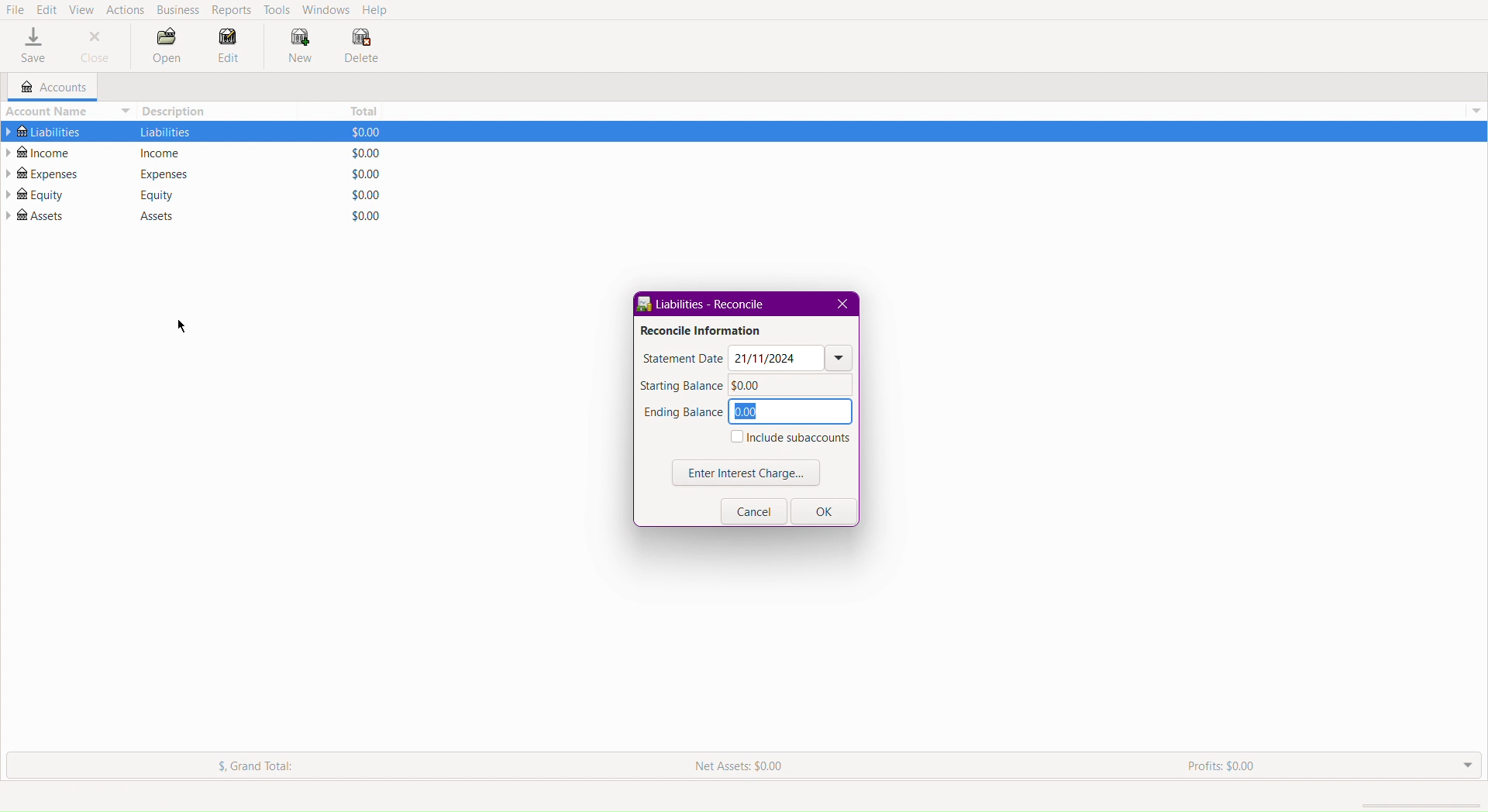  Describe the element at coordinates (370, 131) in the screenshot. I see `Total` at that location.